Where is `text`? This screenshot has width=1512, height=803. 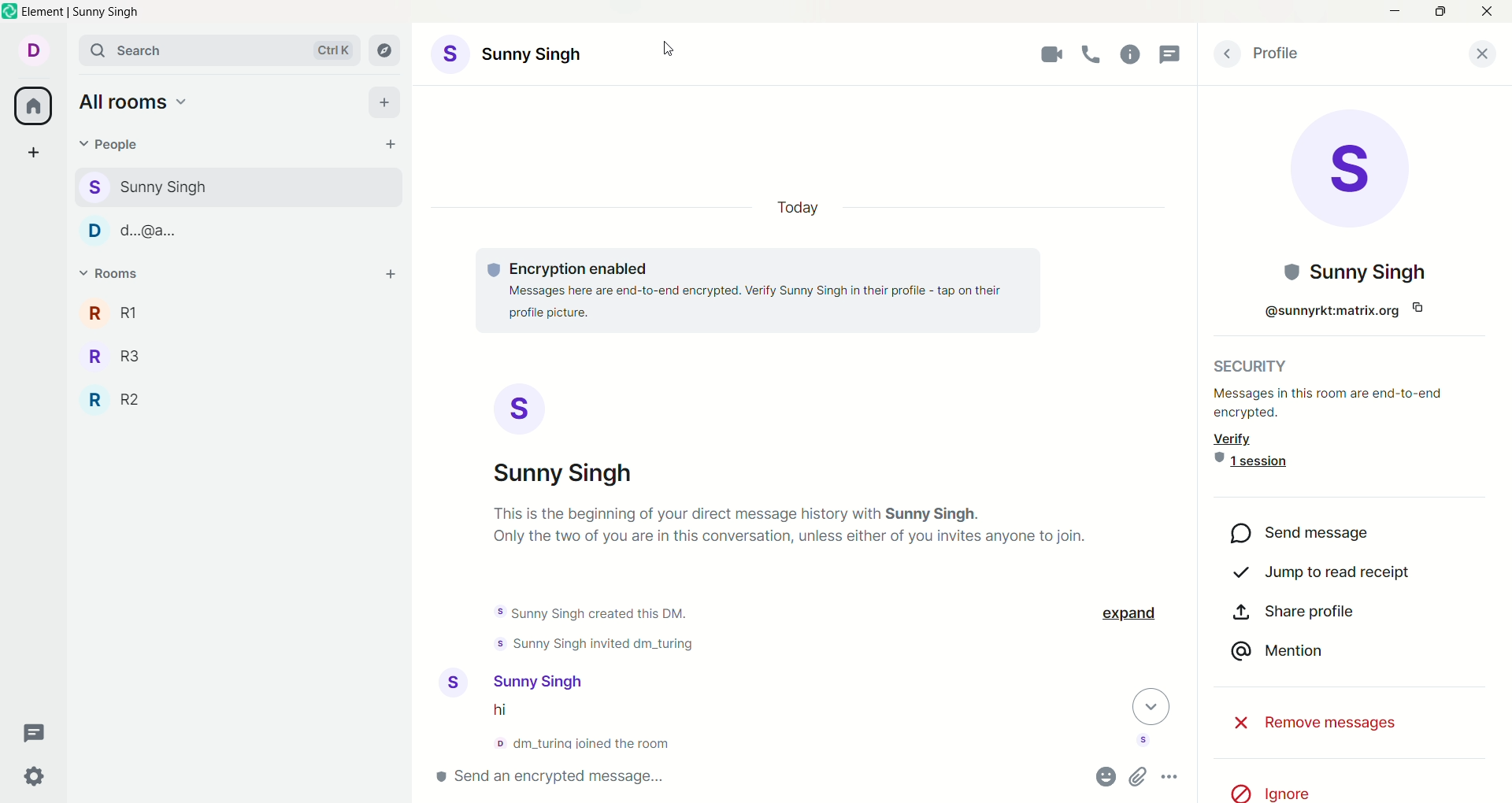
text is located at coordinates (593, 631).